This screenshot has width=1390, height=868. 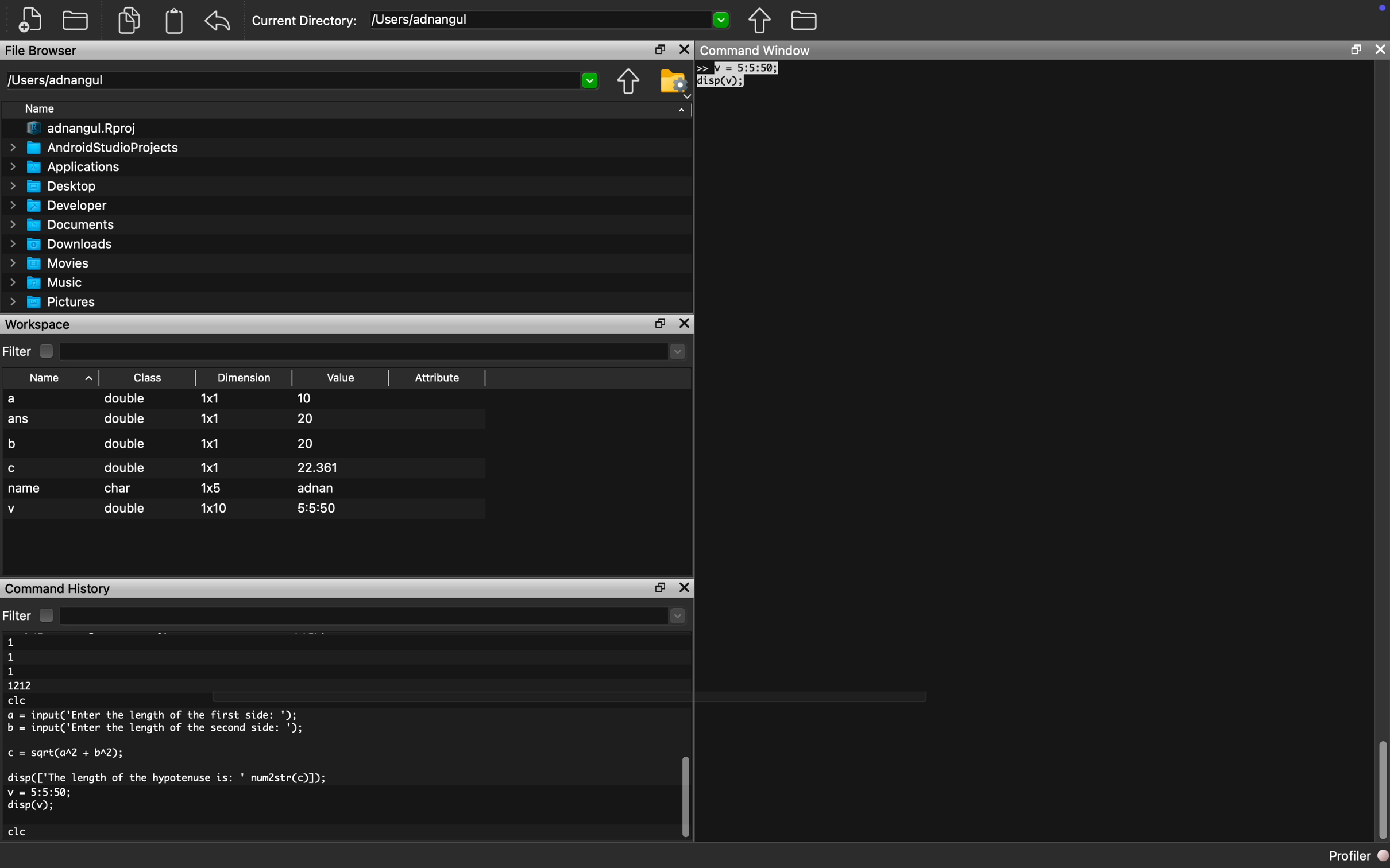 What do you see at coordinates (215, 507) in the screenshot?
I see `1x10` at bounding box center [215, 507].